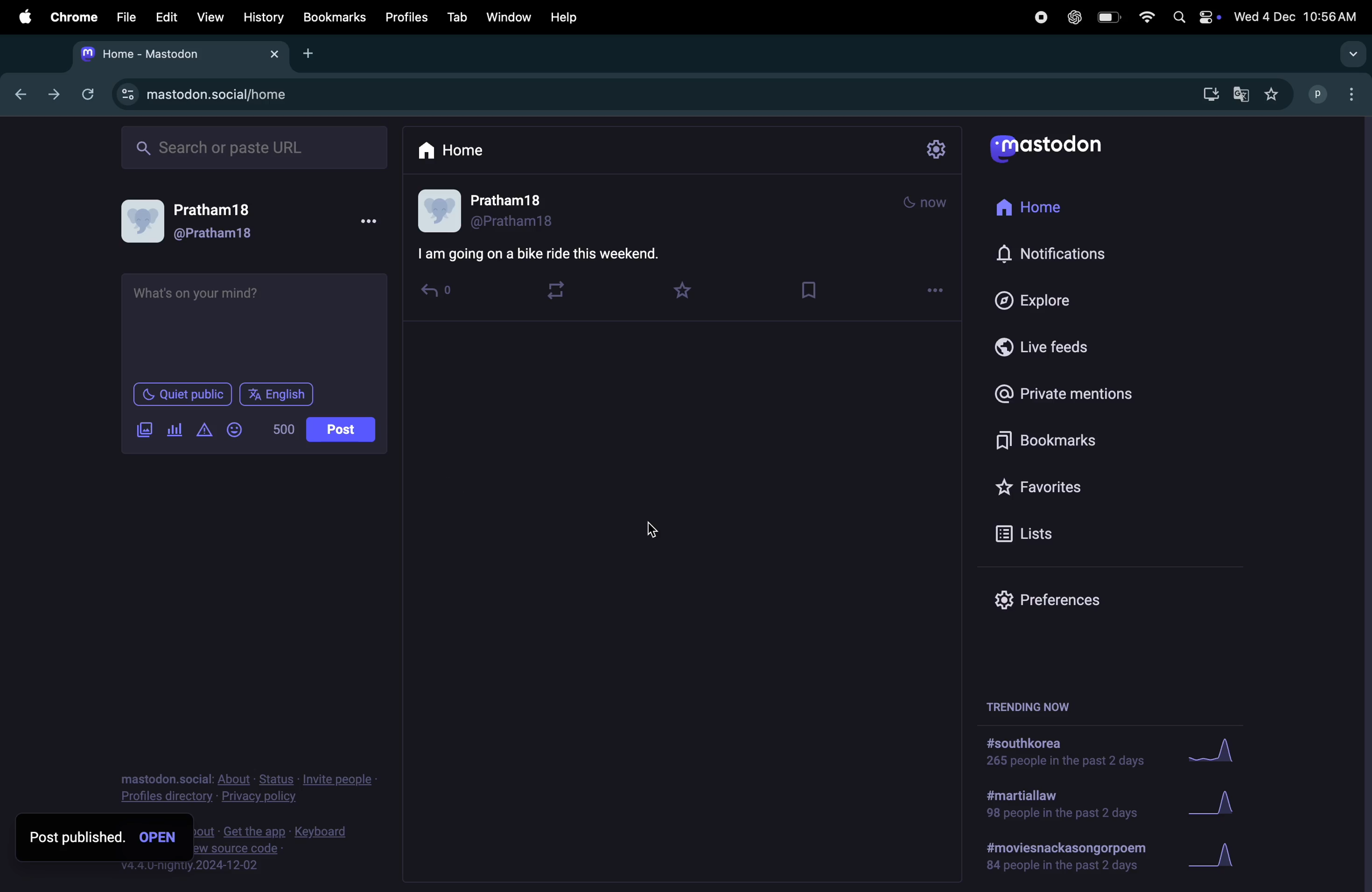 Image resolution: width=1372 pixels, height=892 pixels. Describe the element at coordinates (1064, 752) in the screenshot. I see `#south korea` at that location.